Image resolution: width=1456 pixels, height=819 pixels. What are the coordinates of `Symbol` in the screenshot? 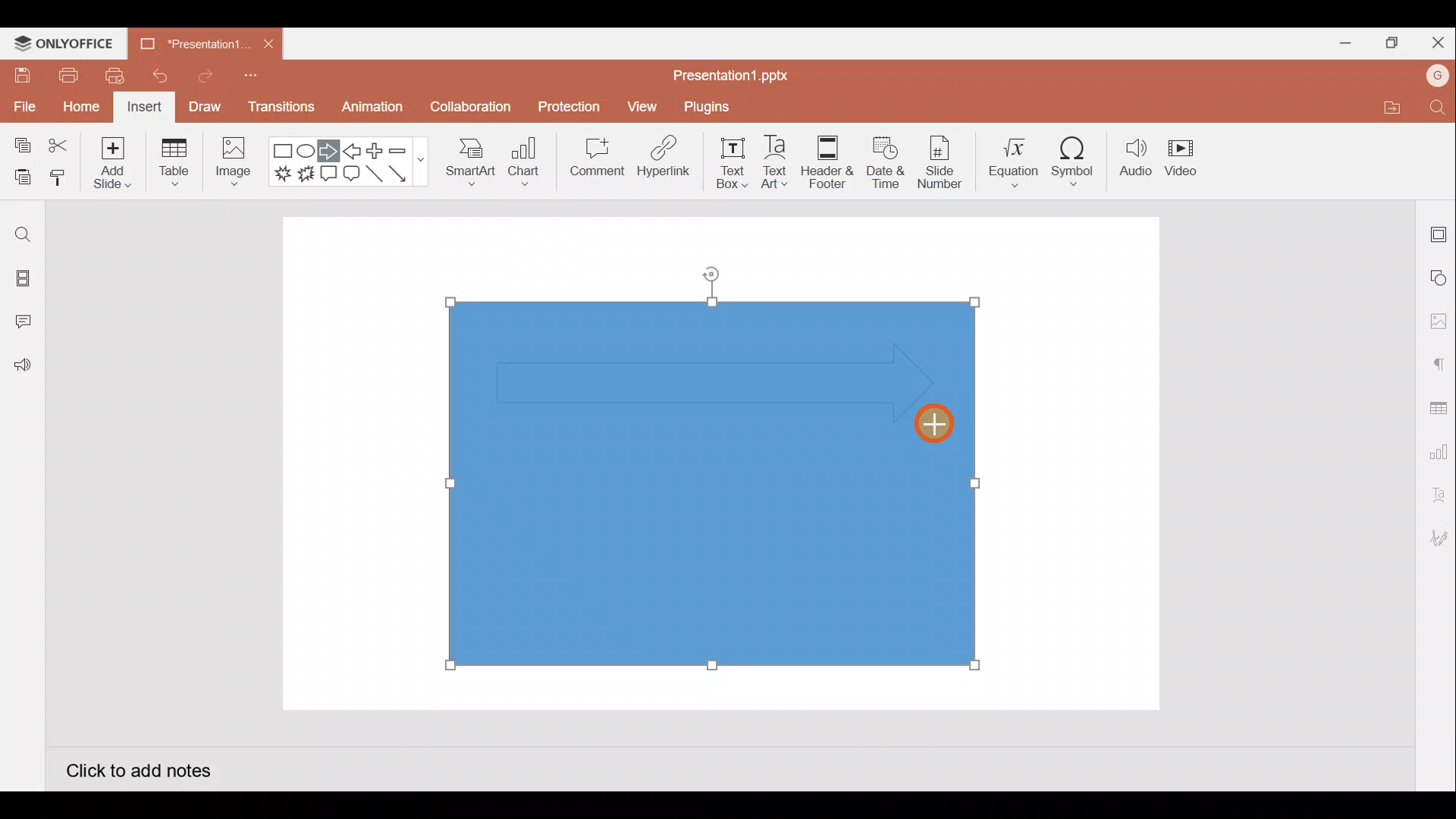 It's located at (1074, 158).